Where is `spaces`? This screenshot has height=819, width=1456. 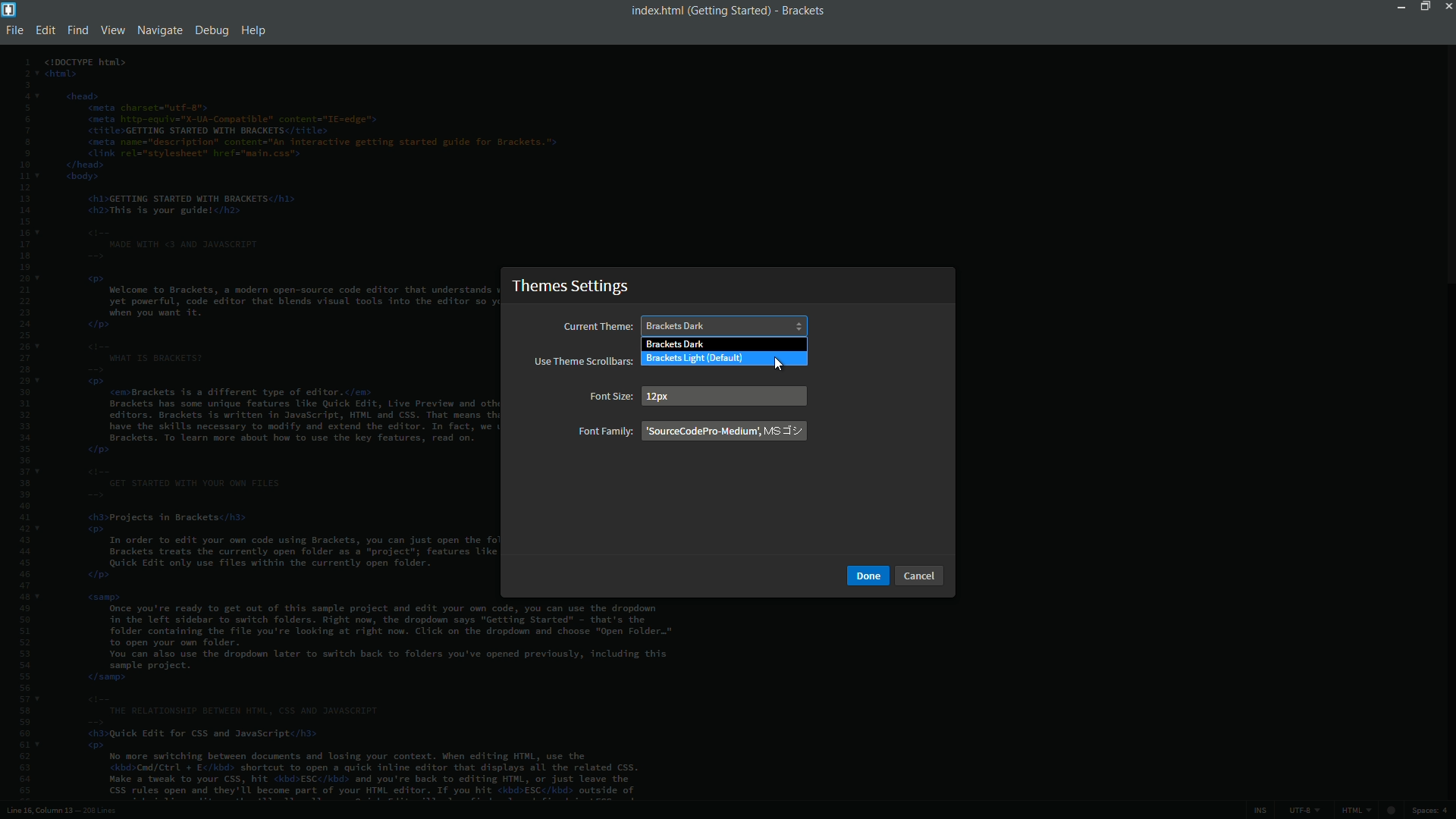 spaces is located at coordinates (1432, 811).